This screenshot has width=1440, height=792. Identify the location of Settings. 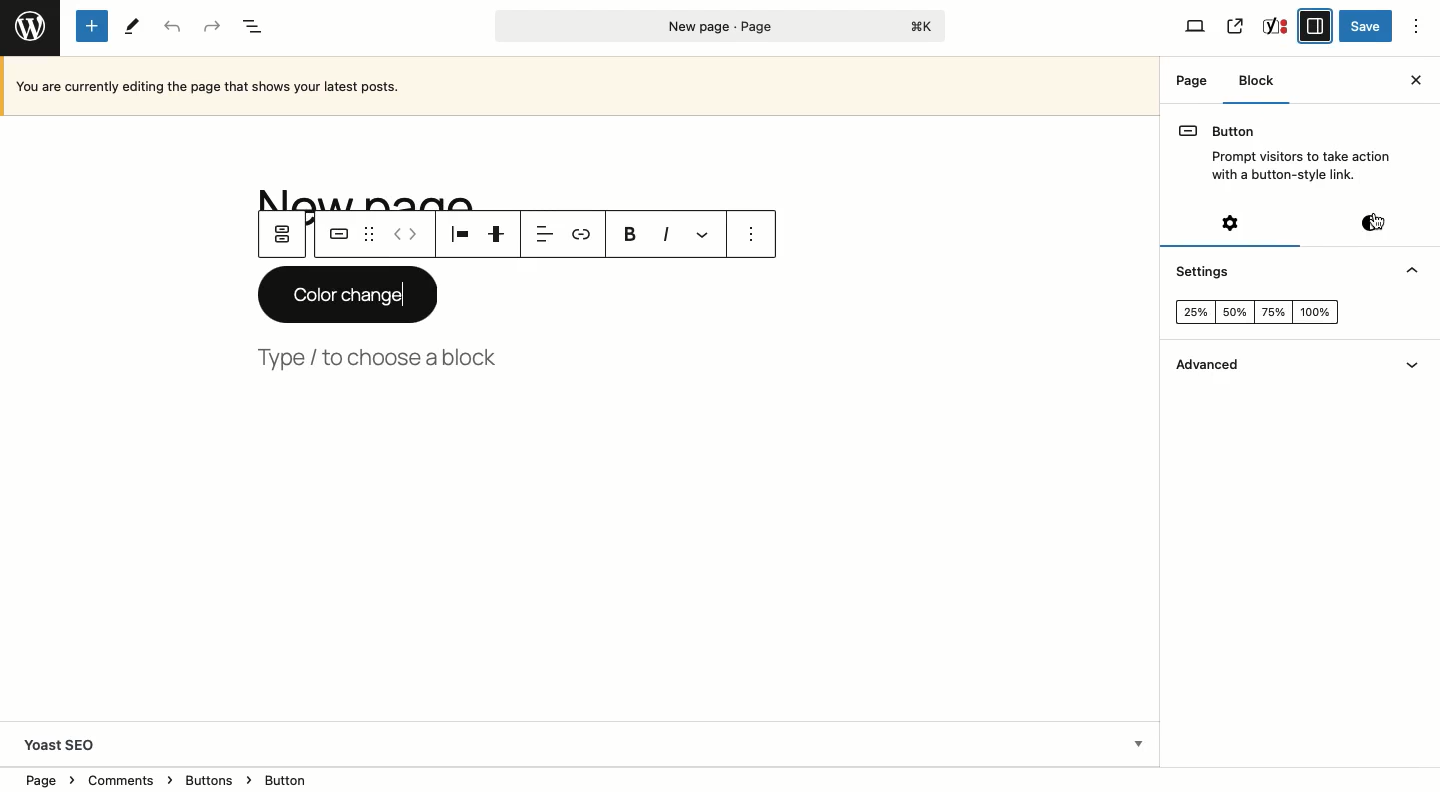
(1204, 274).